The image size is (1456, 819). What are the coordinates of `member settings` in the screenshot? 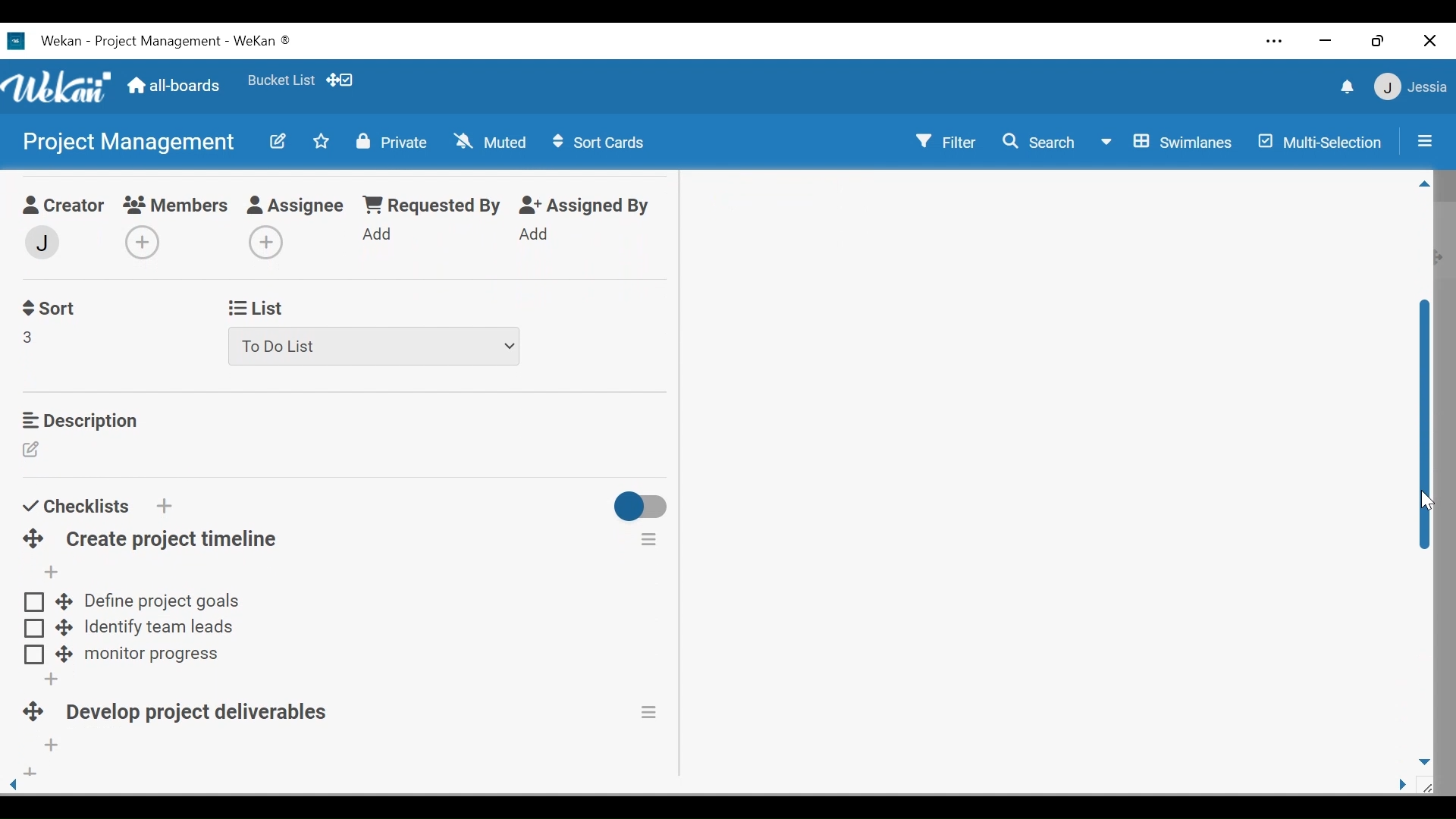 It's located at (1410, 86).